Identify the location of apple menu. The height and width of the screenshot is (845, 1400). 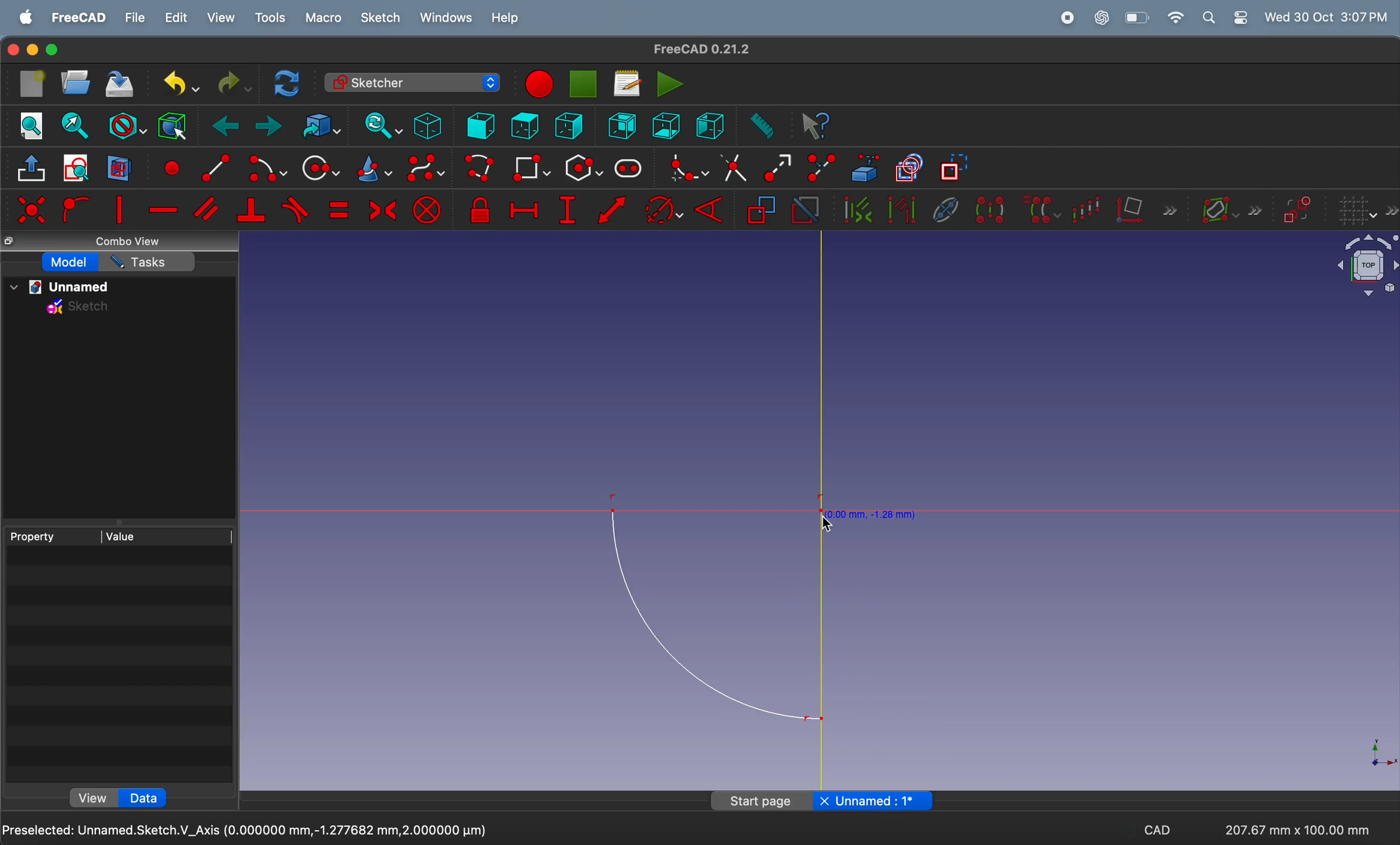
(27, 18).